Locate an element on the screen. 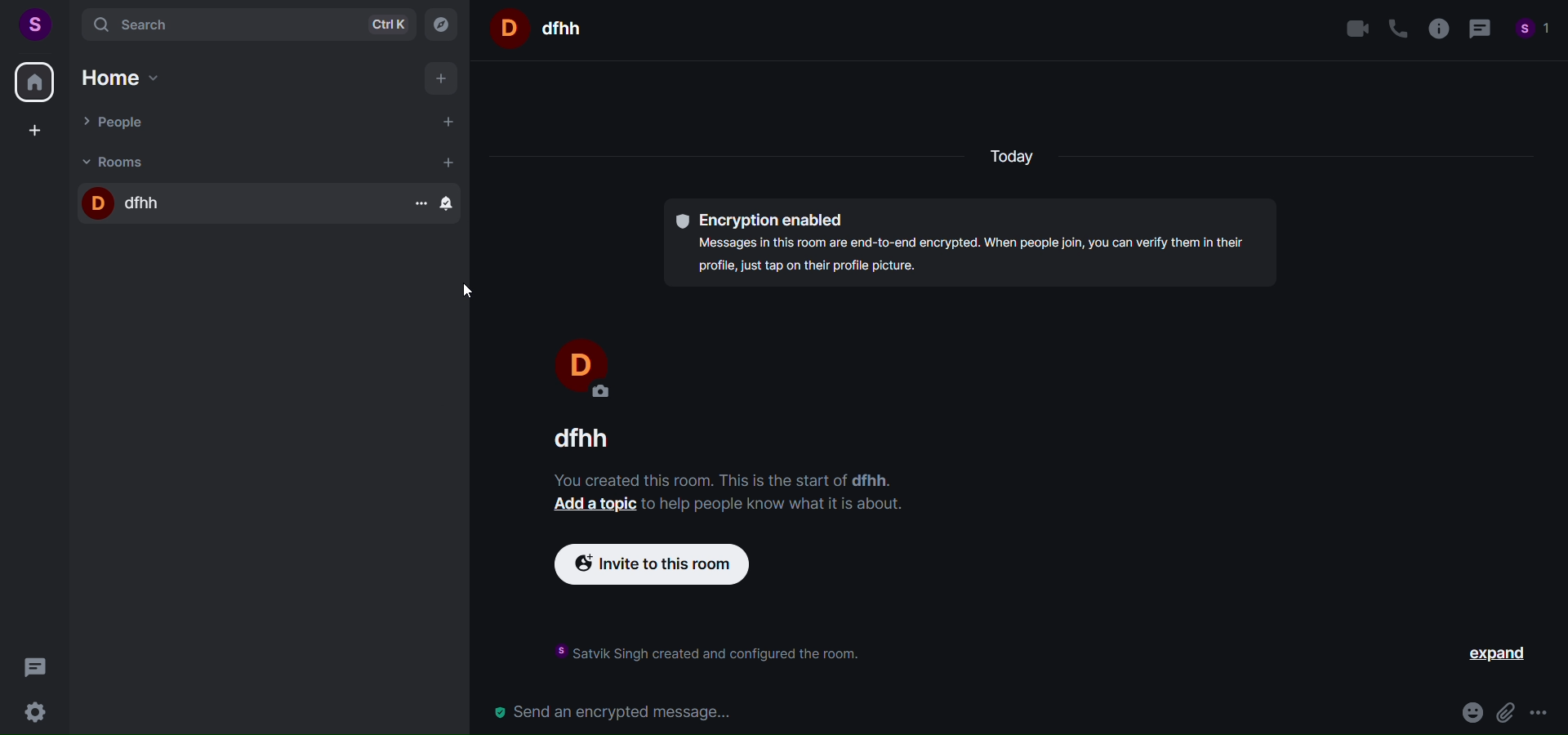  create a space is located at coordinates (40, 132).